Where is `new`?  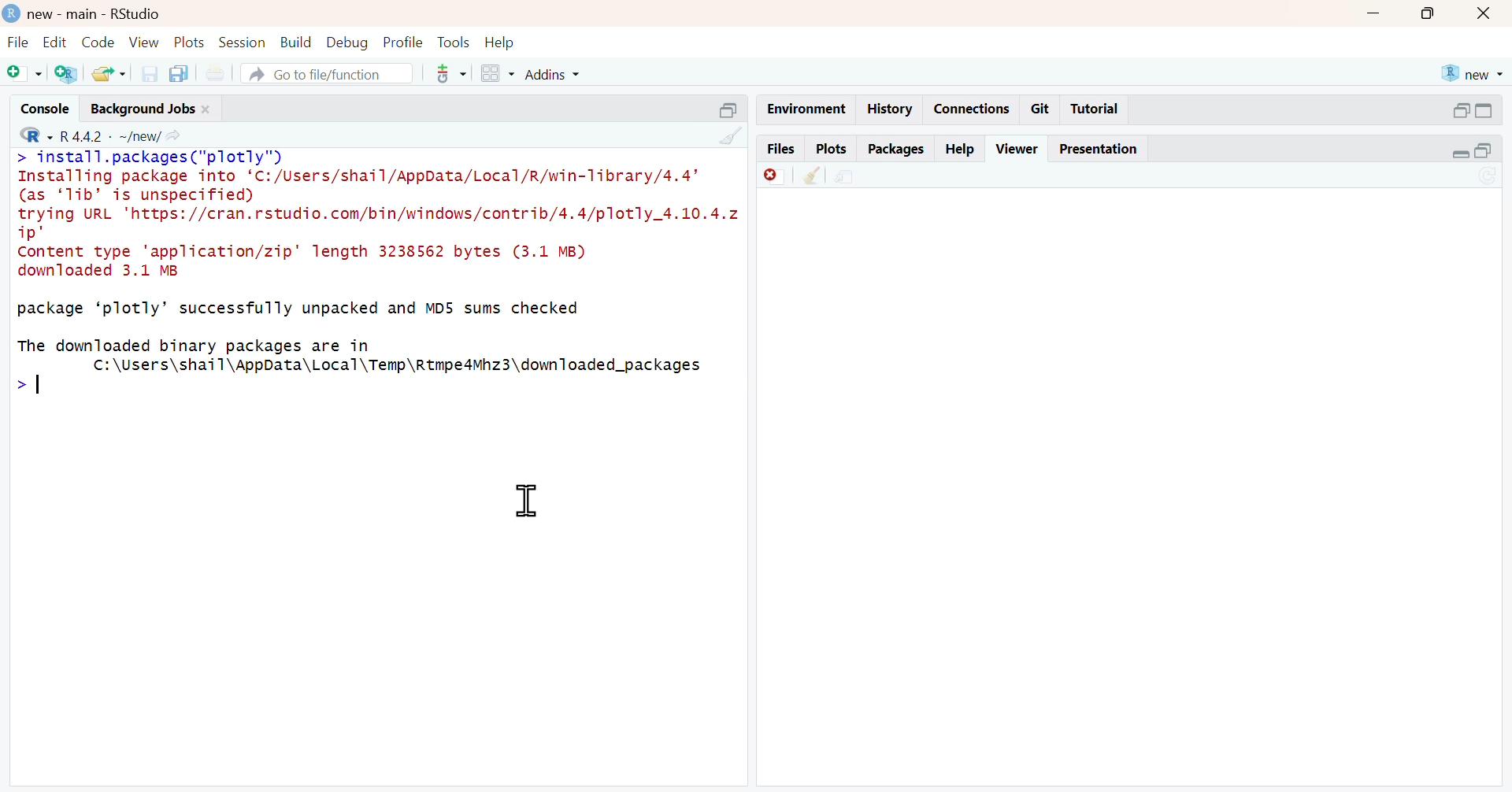 new is located at coordinates (1472, 73).